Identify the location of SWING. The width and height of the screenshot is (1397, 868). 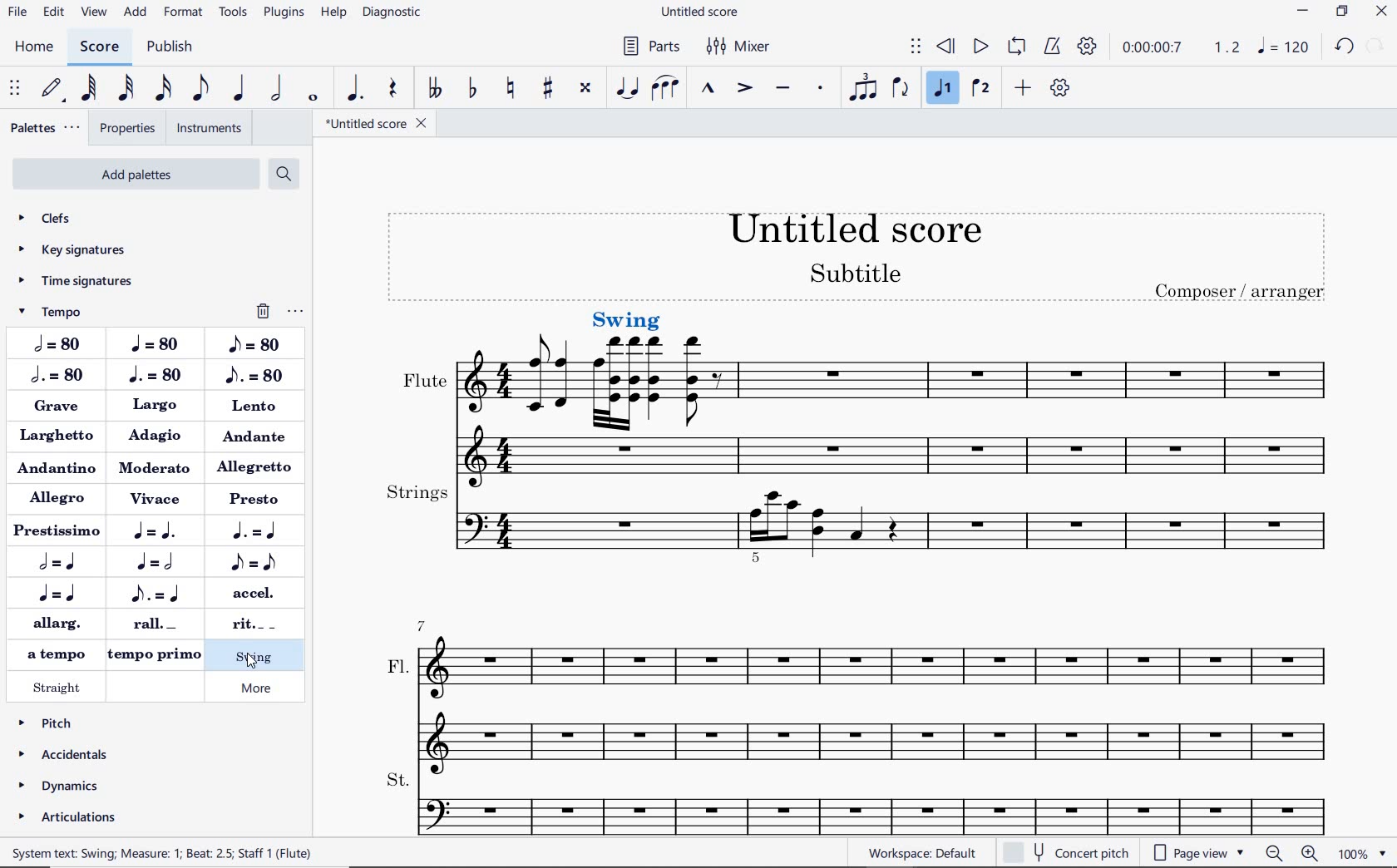
(255, 699).